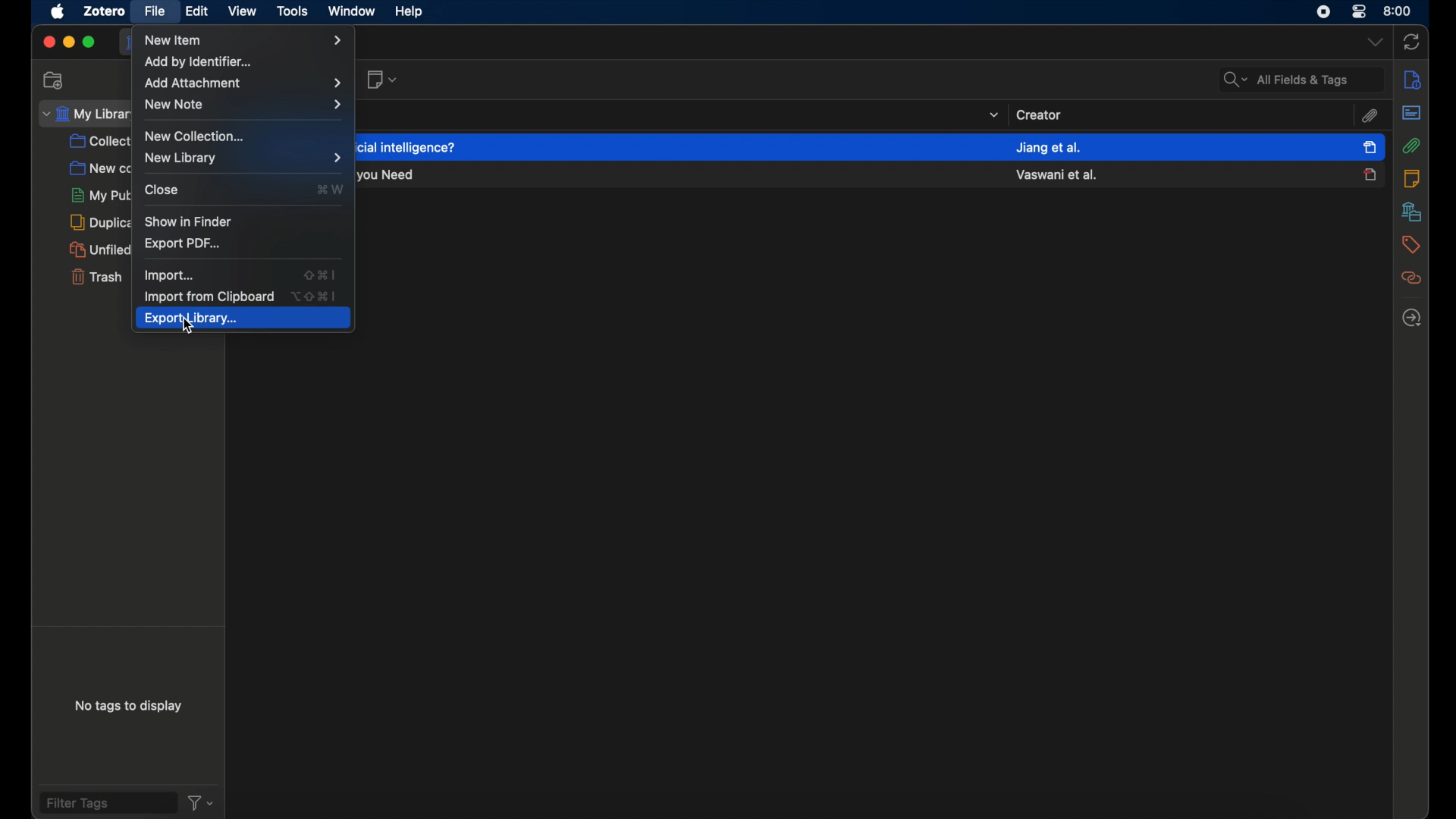  Describe the element at coordinates (100, 195) in the screenshot. I see `my publications` at that location.